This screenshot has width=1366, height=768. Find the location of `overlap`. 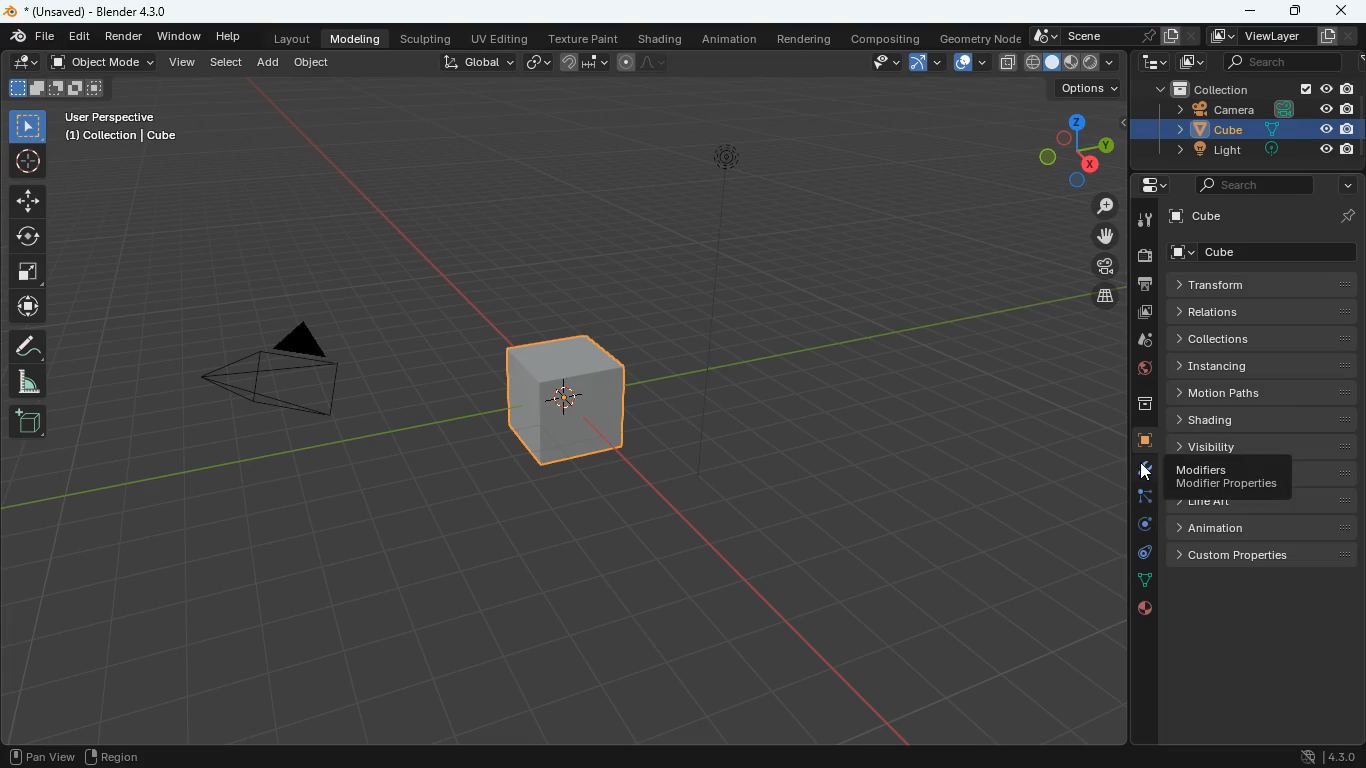

overlap is located at coordinates (971, 63).